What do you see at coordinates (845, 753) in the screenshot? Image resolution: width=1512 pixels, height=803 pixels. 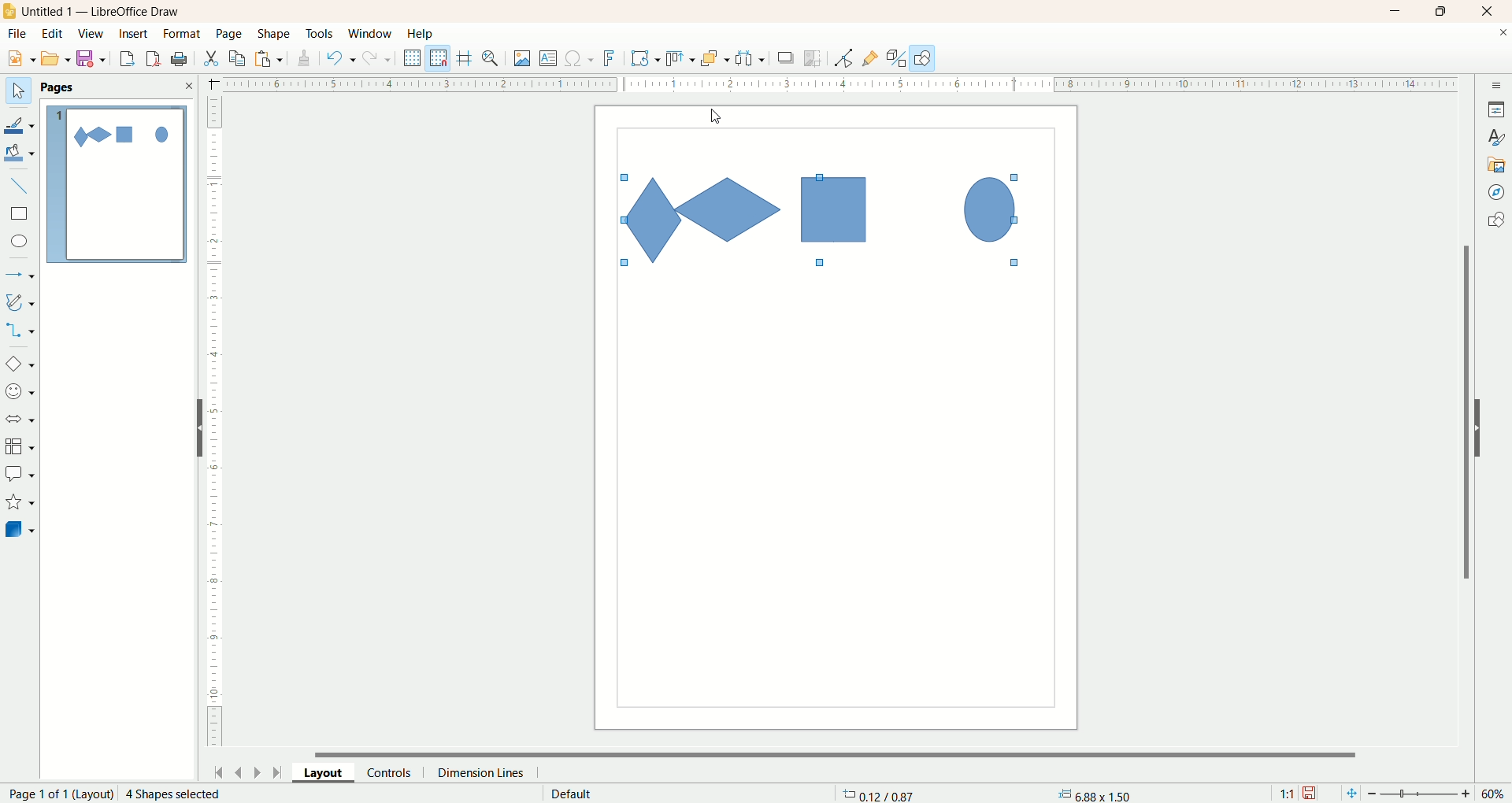 I see `horizontal scroll bar` at bounding box center [845, 753].